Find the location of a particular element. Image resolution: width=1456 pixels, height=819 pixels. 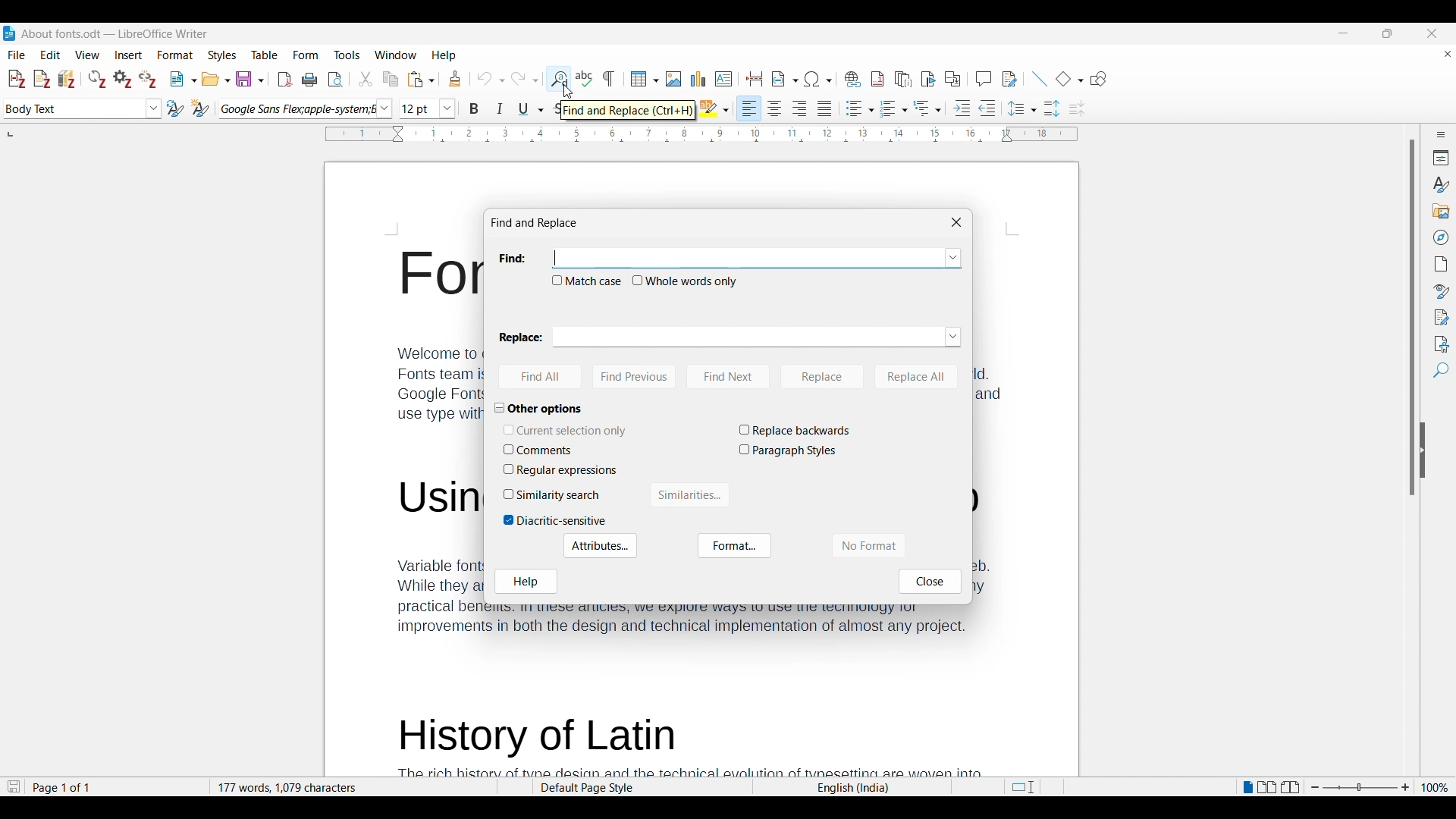

Align left, current selection, highlighted is located at coordinates (749, 108).